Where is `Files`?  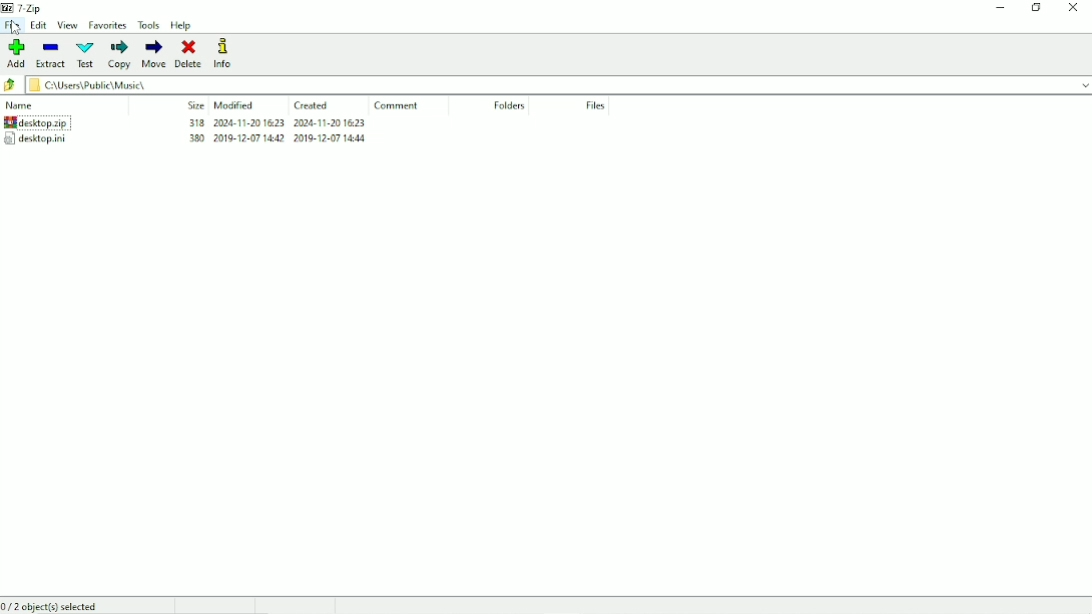
Files is located at coordinates (596, 107).